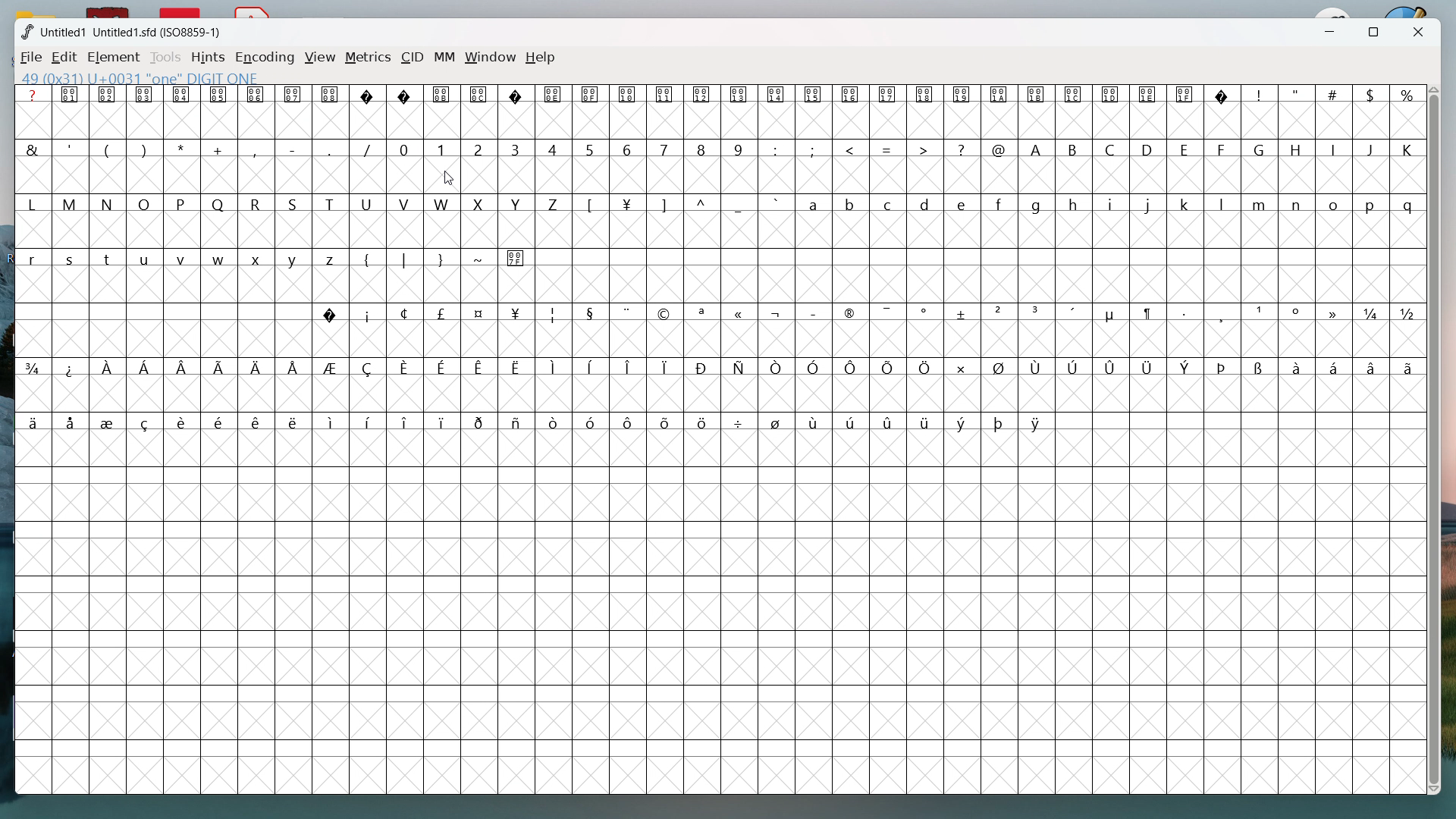 The height and width of the screenshot is (819, 1456). What do you see at coordinates (1000, 312) in the screenshot?
I see `symbol` at bounding box center [1000, 312].